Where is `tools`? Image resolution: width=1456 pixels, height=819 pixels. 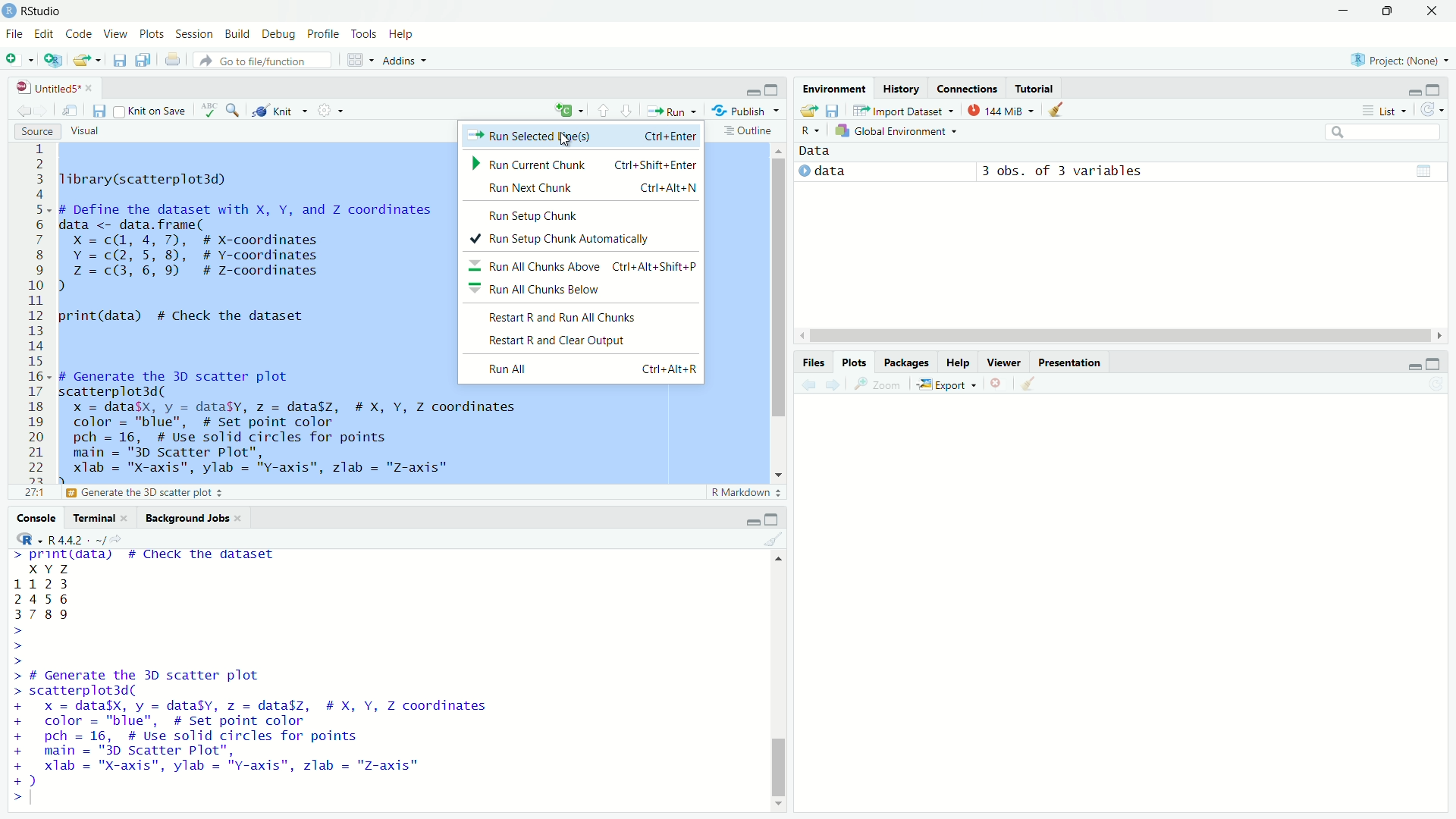
tools is located at coordinates (364, 33).